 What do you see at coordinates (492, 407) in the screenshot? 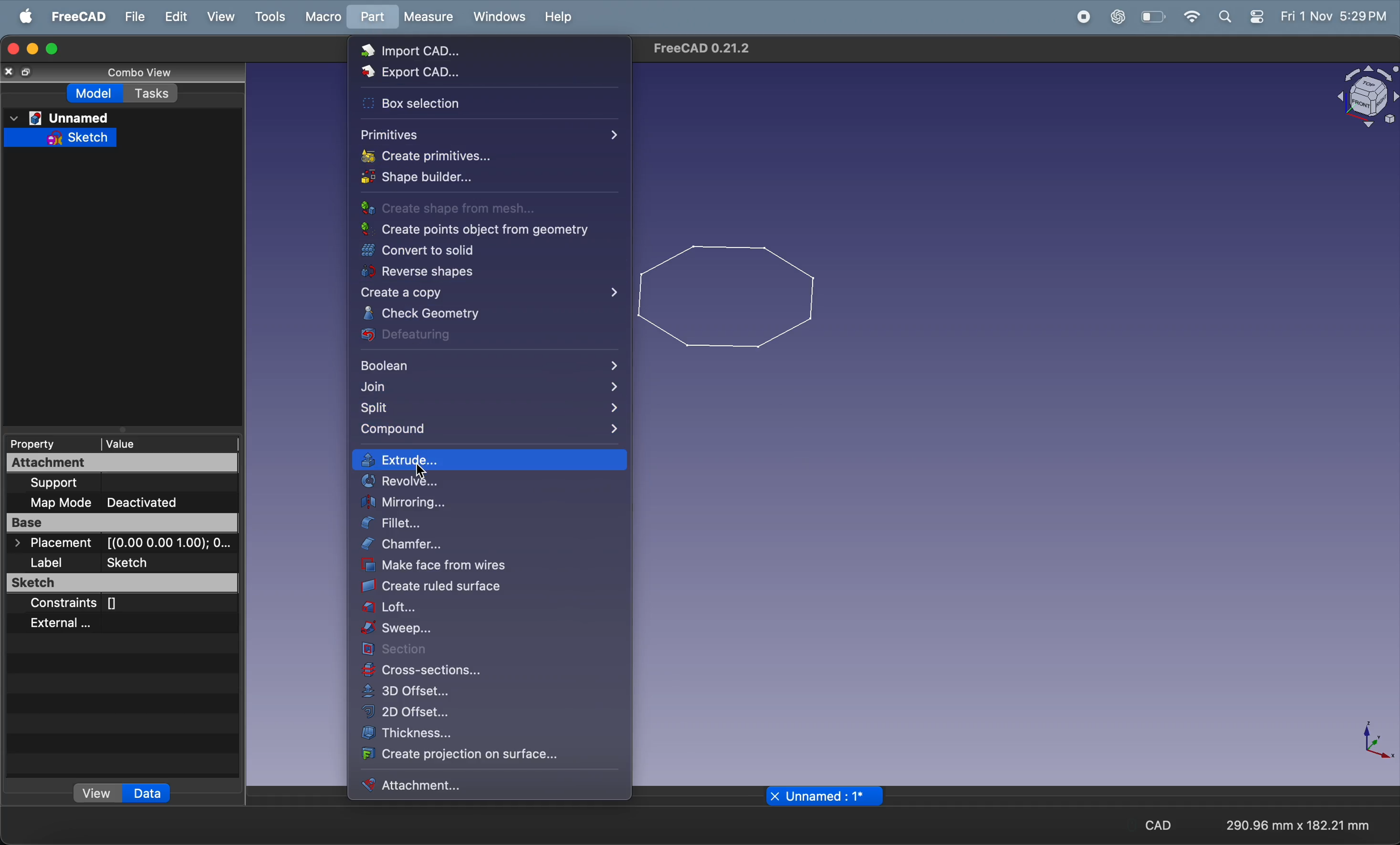
I see `split` at bounding box center [492, 407].